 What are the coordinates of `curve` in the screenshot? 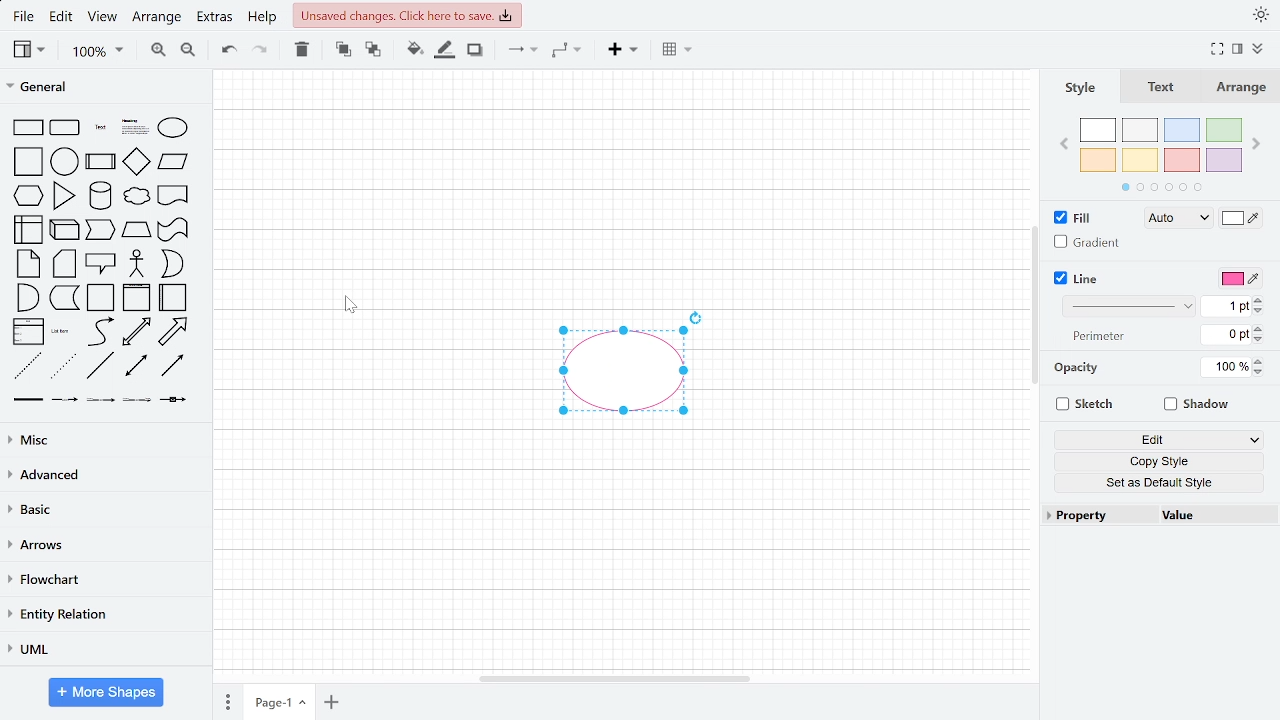 It's located at (100, 332).